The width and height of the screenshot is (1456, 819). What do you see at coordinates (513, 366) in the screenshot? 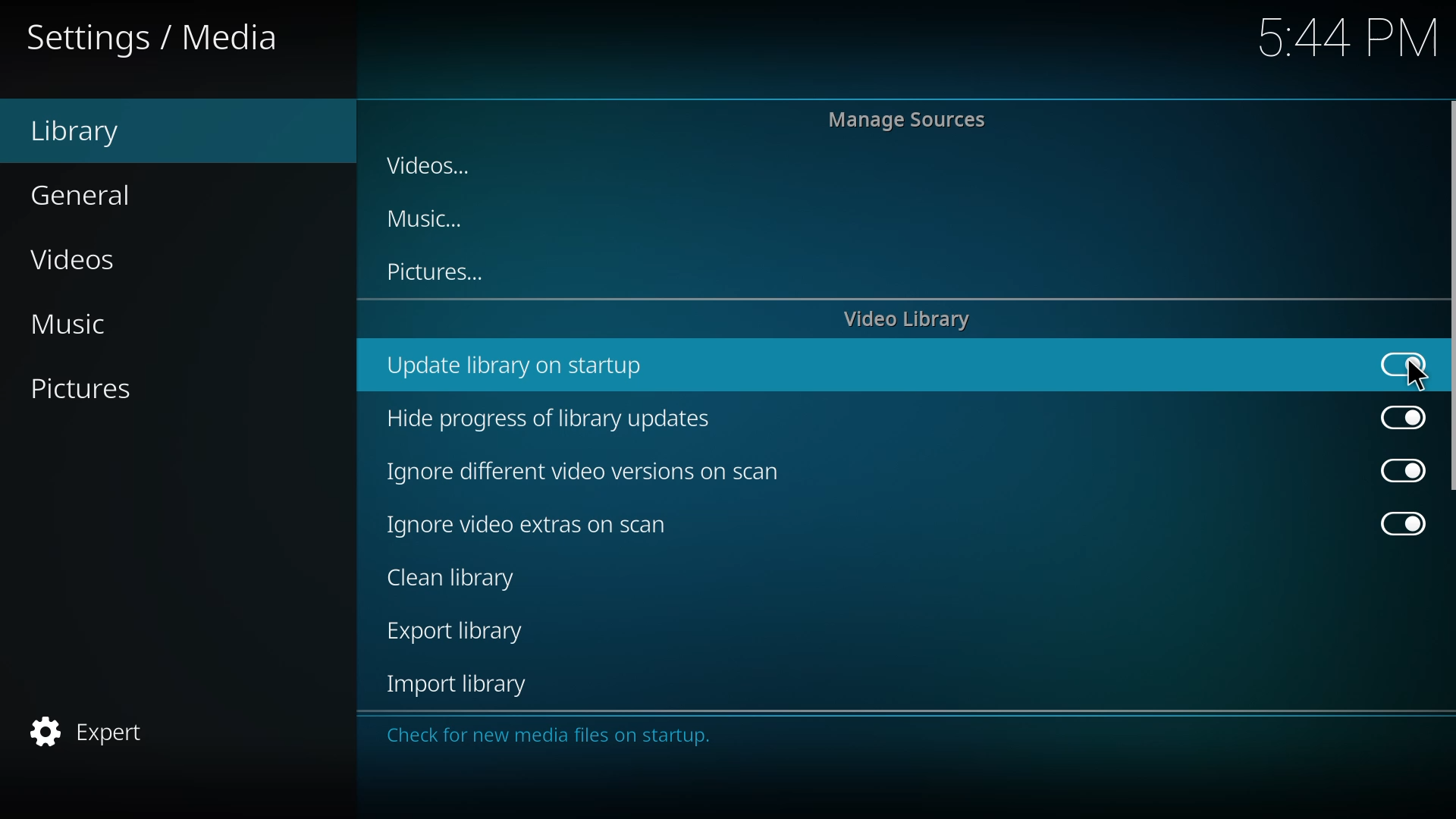
I see `update library on startup` at bounding box center [513, 366].